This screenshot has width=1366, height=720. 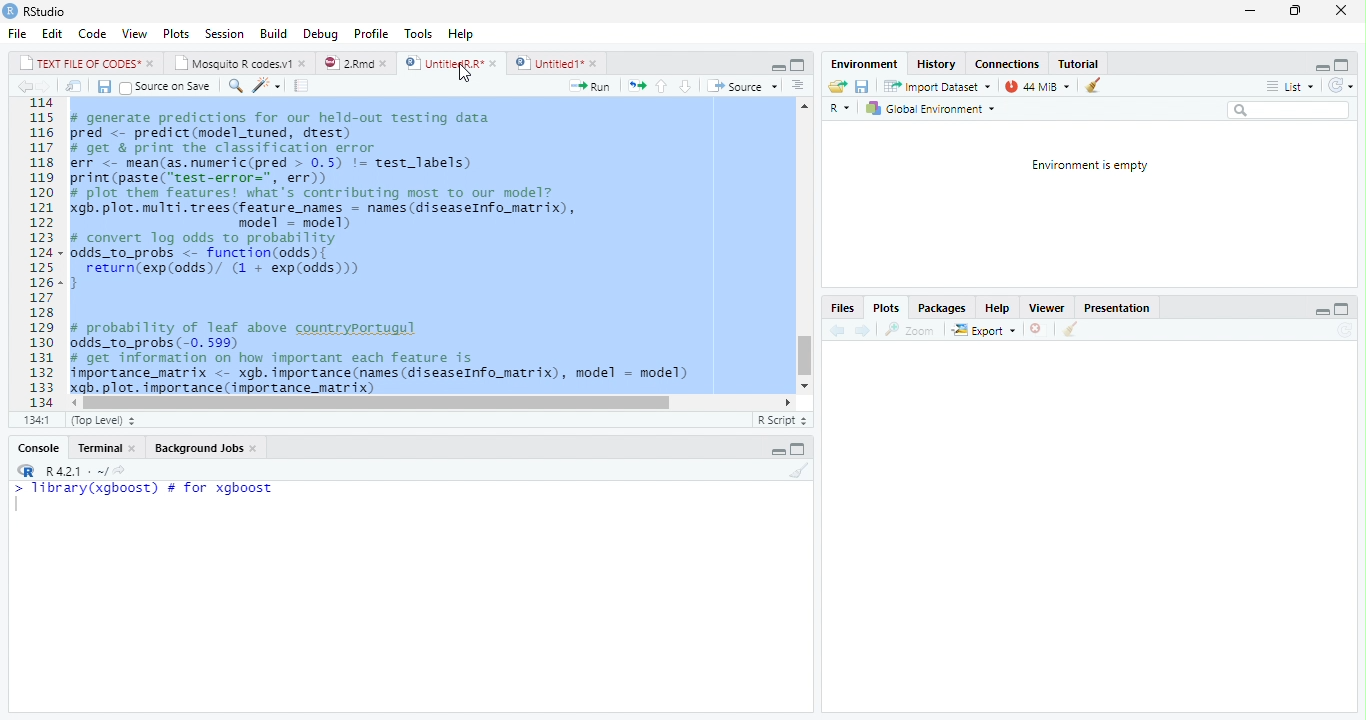 What do you see at coordinates (1288, 110) in the screenshot?
I see `Search` at bounding box center [1288, 110].